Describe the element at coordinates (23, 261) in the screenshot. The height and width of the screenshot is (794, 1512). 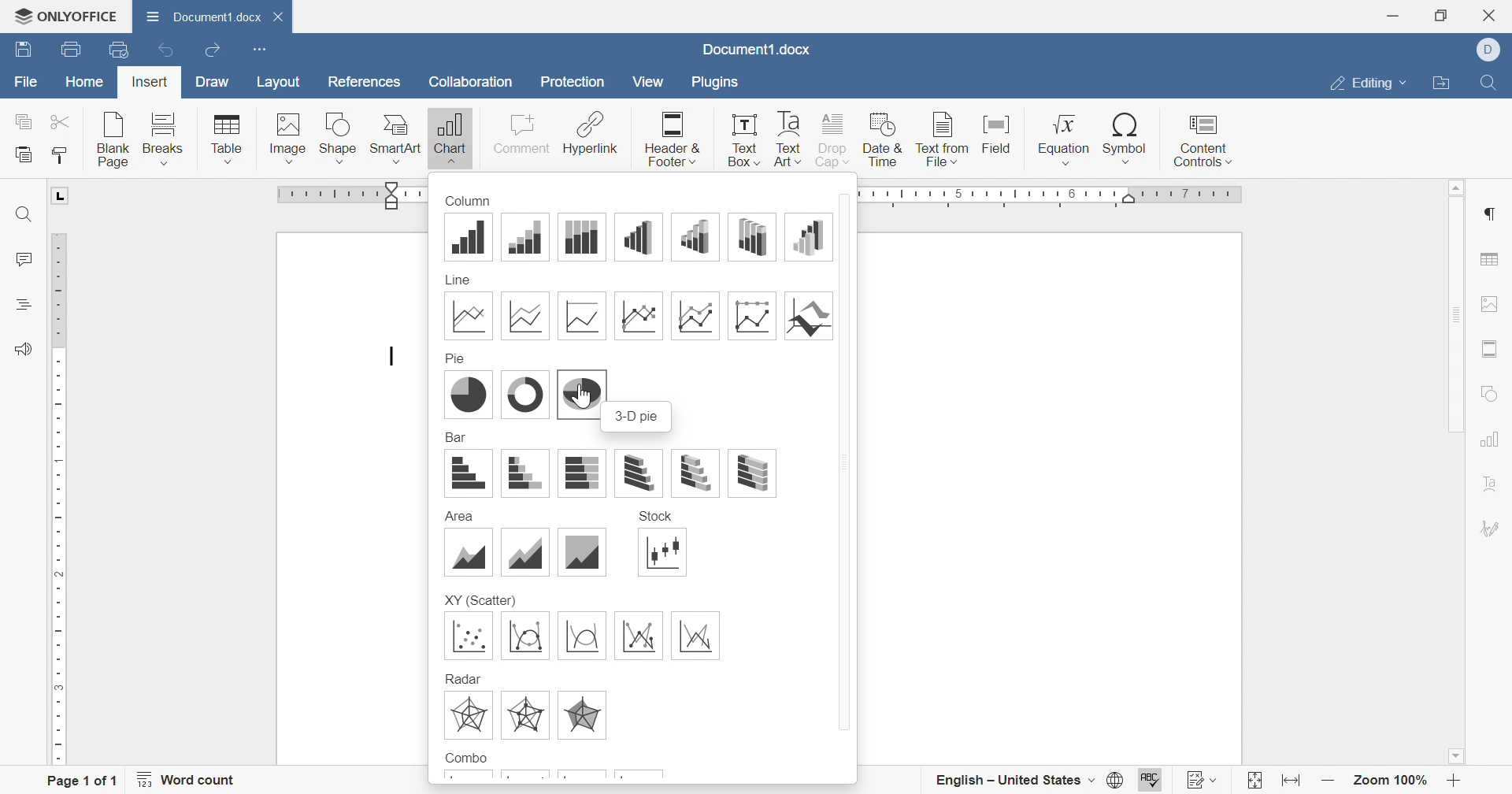
I see `Comments` at that location.